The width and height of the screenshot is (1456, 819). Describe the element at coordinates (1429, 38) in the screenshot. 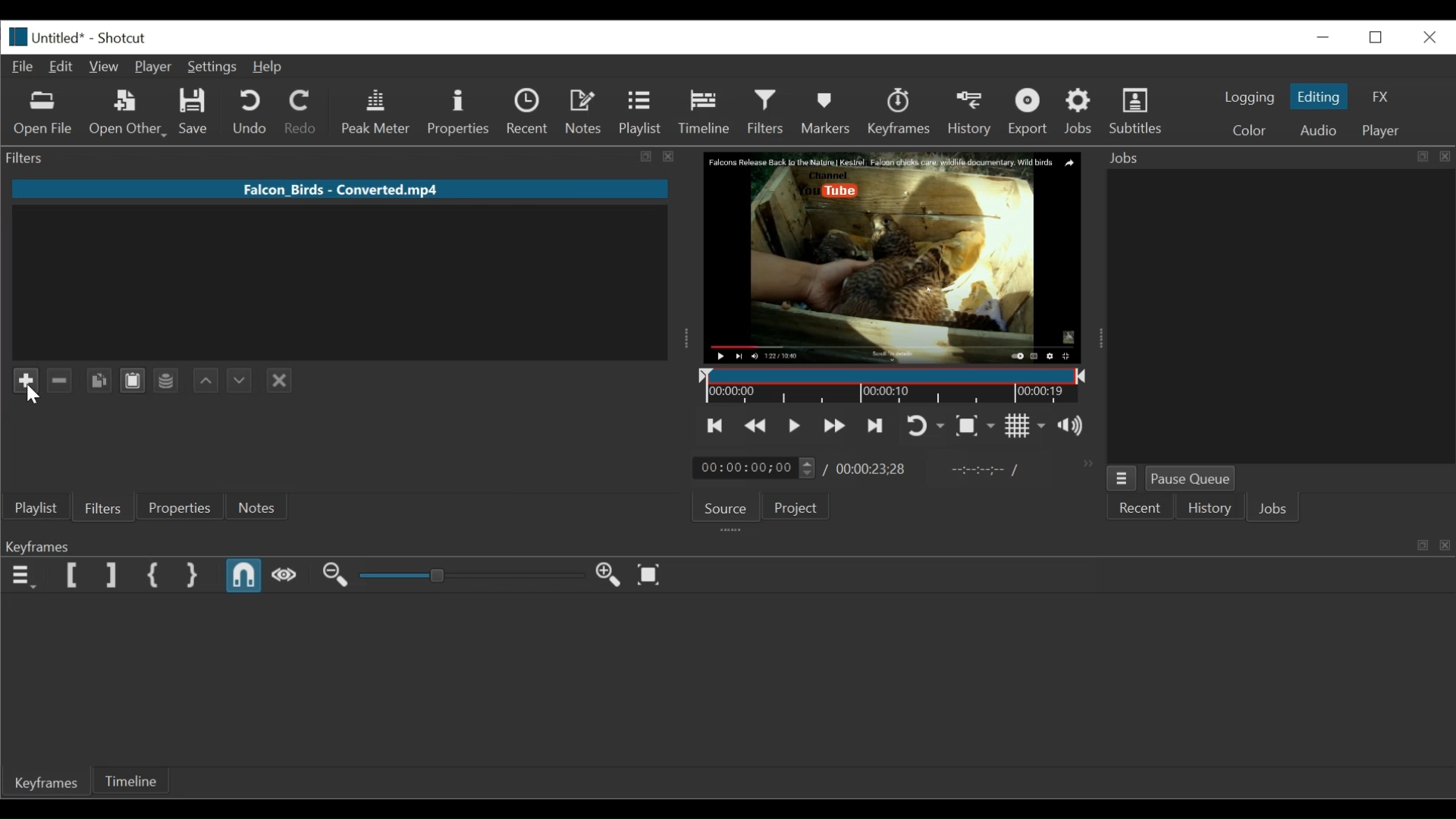

I see `Close` at that location.